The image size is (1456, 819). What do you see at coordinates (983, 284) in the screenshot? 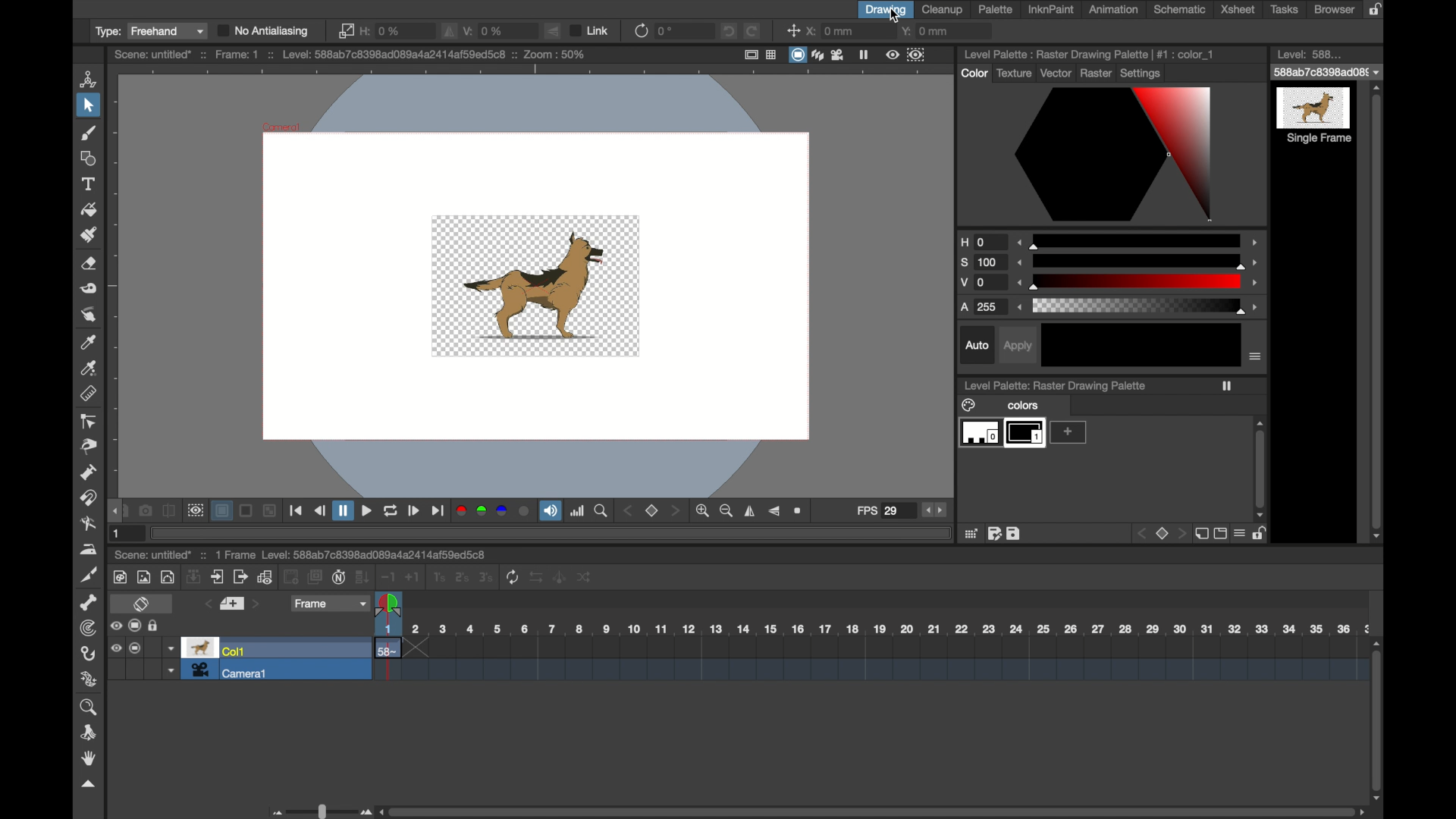
I see `Y` at bounding box center [983, 284].